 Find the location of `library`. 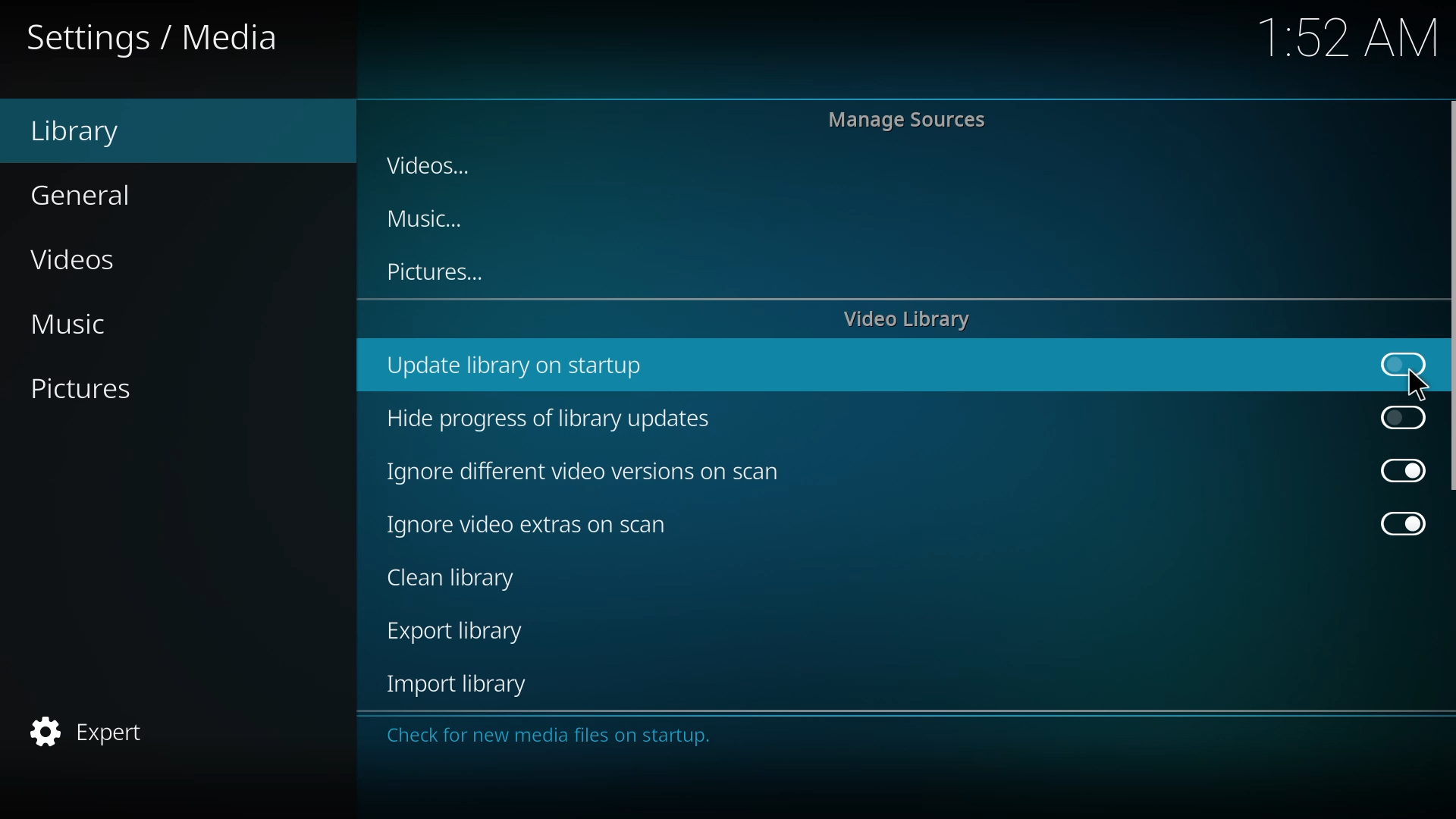

library is located at coordinates (88, 130).